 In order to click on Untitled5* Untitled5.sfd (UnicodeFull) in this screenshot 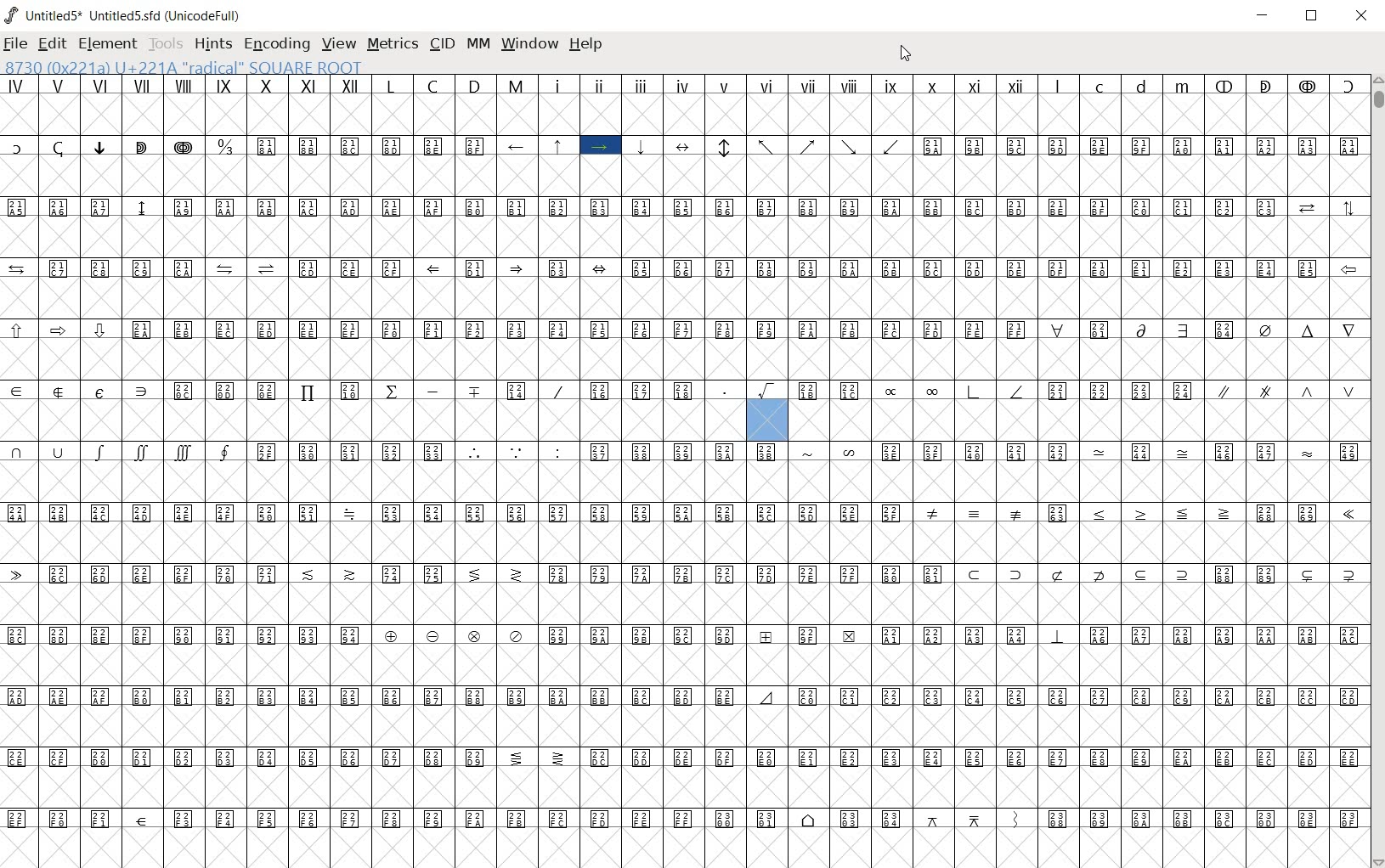, I will do `click(124, 13)`.